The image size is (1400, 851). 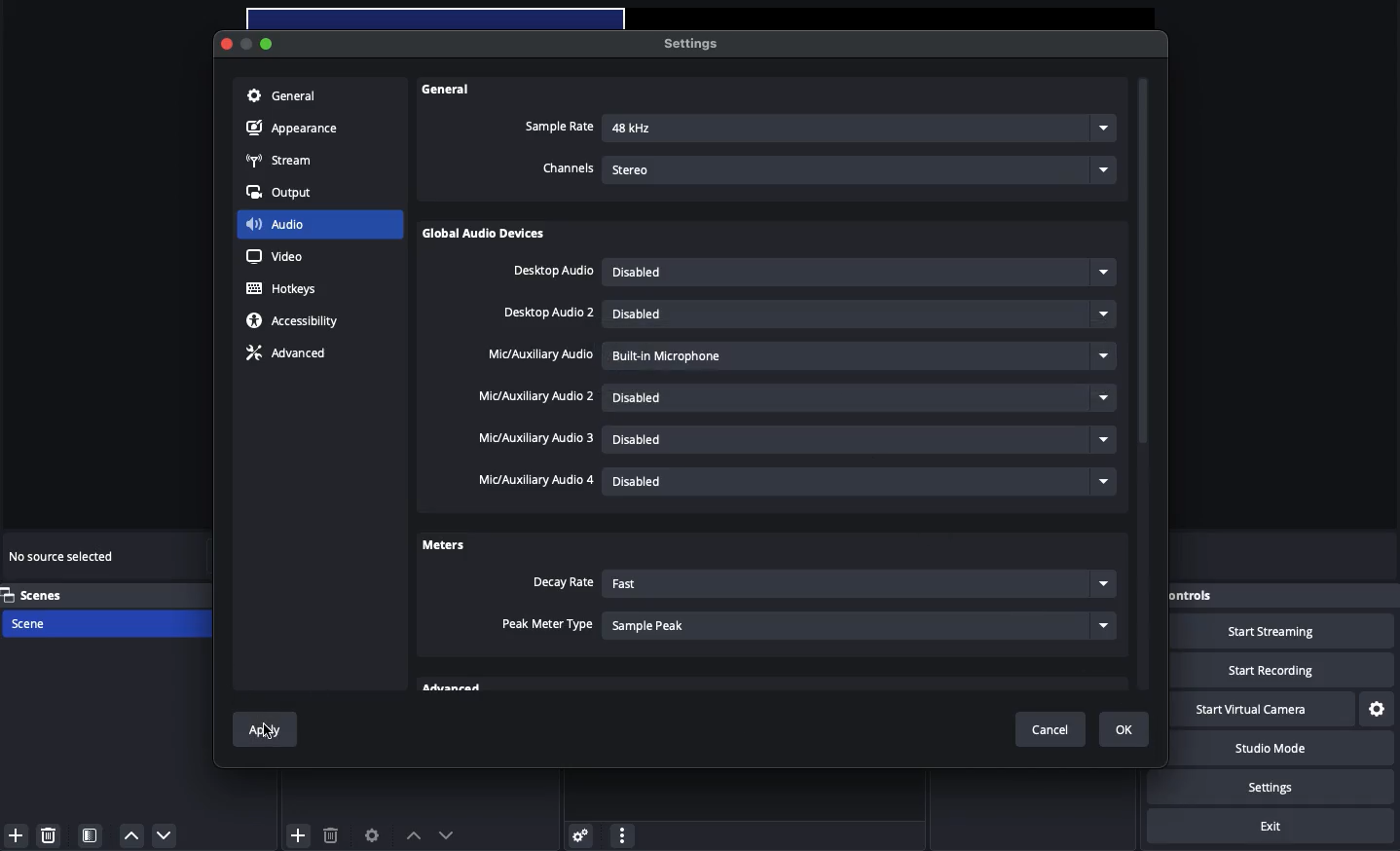 I want to click on Disabled, so click(x=864, y=480).